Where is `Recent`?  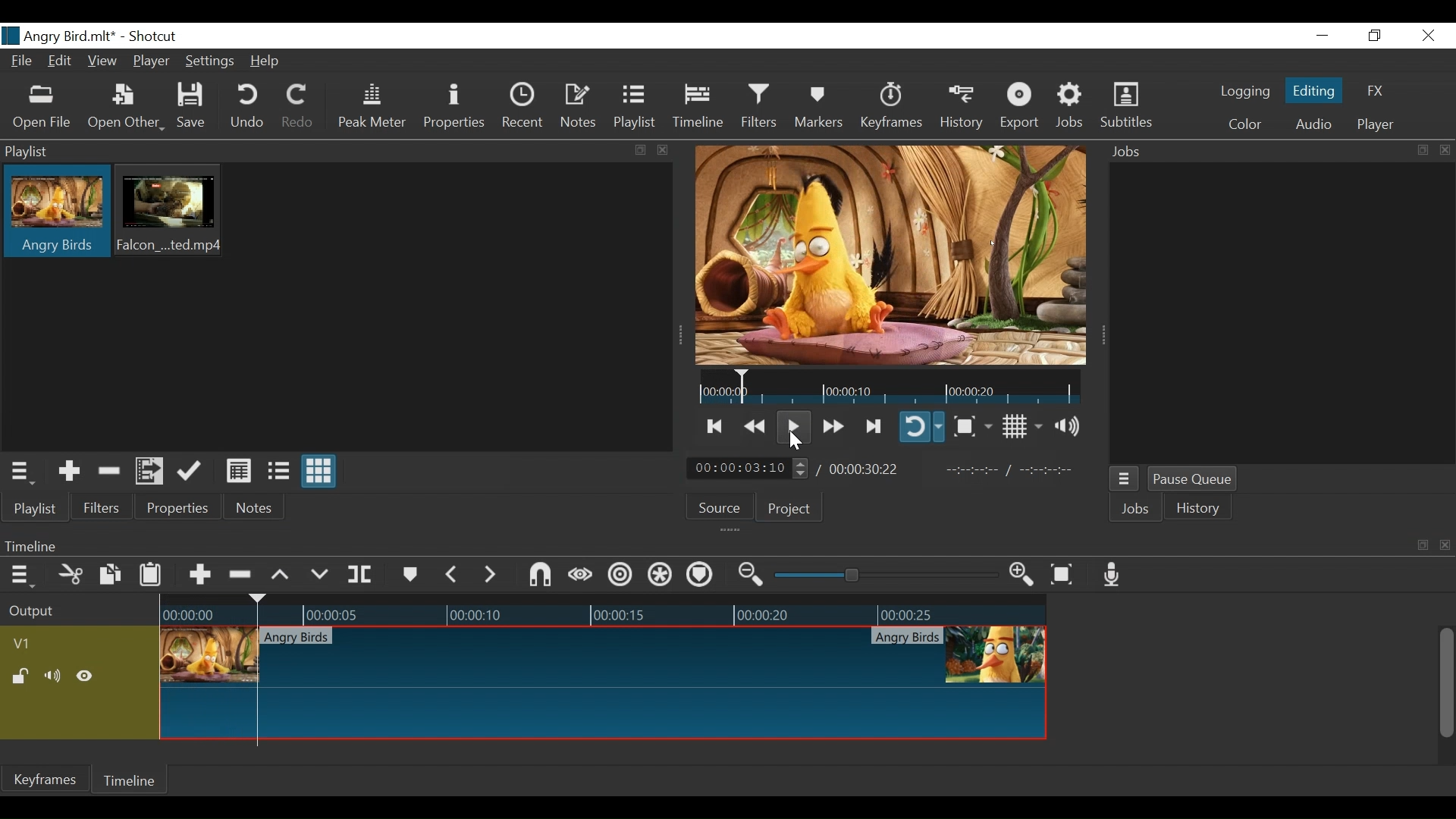 Recent is located at coordinates (526, 108).